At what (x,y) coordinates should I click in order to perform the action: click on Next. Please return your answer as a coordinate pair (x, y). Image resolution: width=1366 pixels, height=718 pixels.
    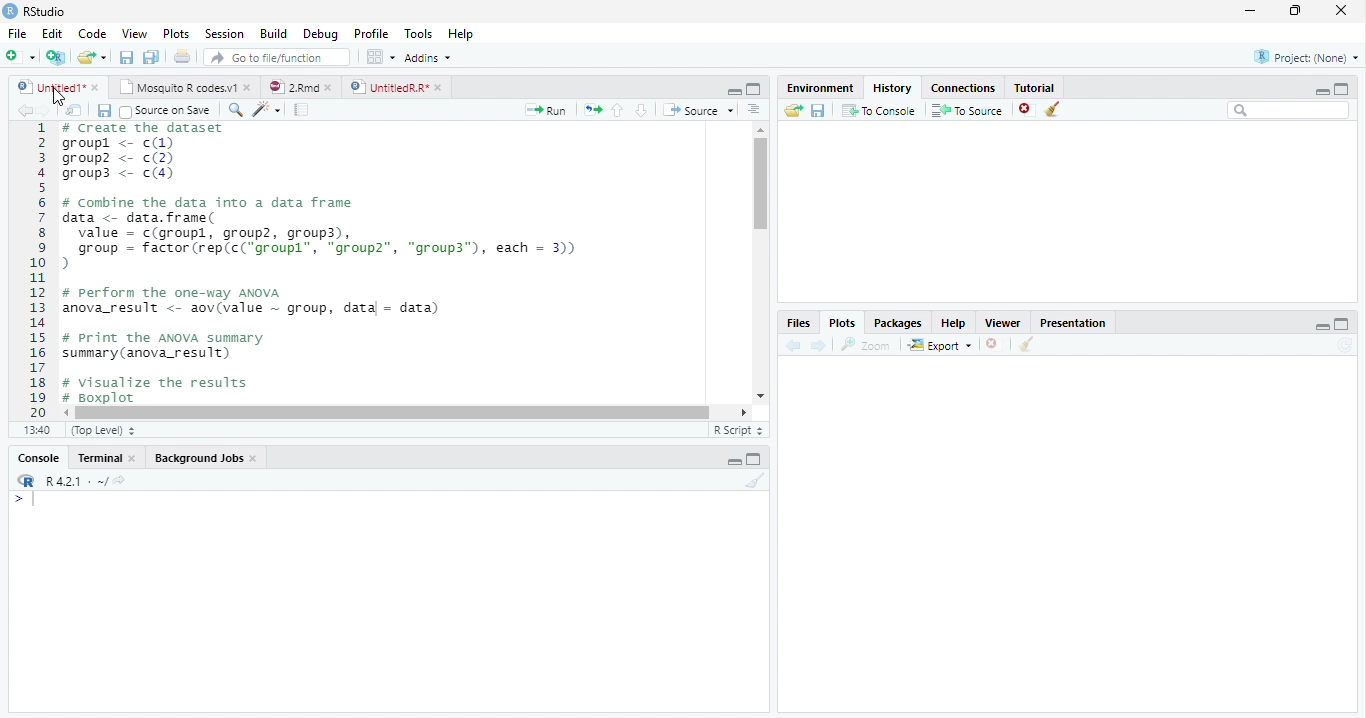
    Looking at the image, I should click on (50, 111).